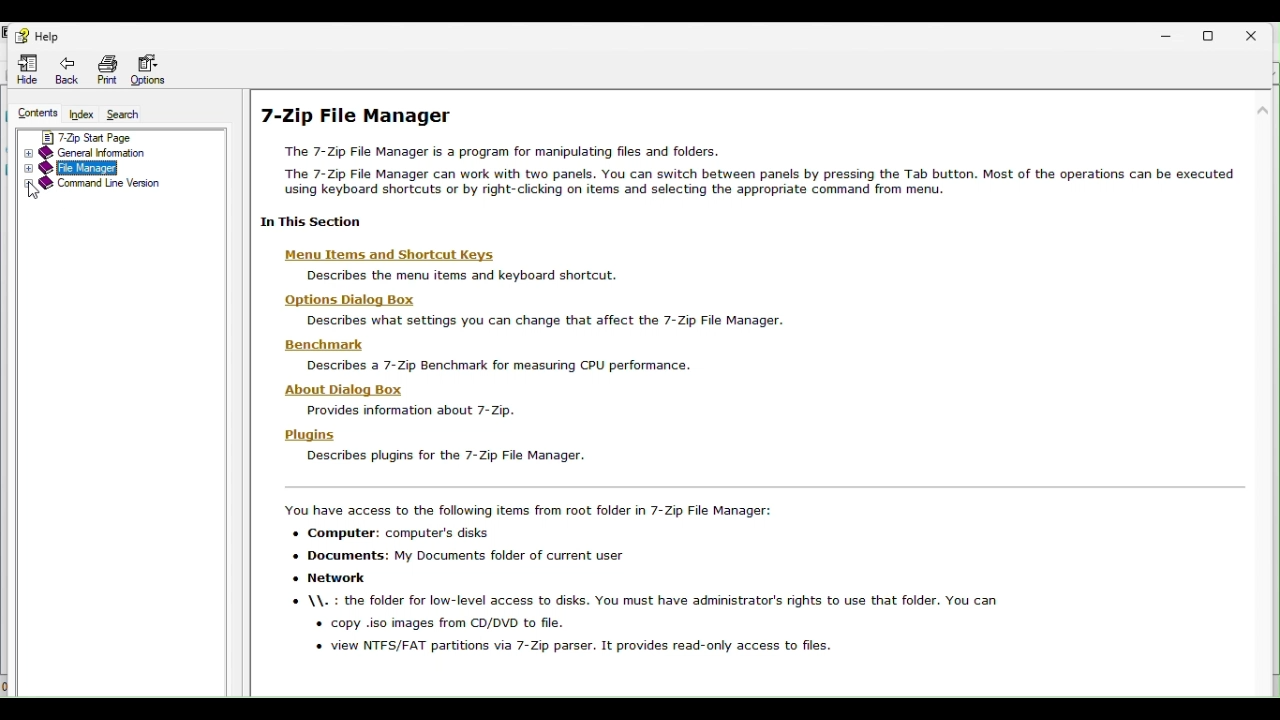  I want to click on about dialog box, so click(352, 390).